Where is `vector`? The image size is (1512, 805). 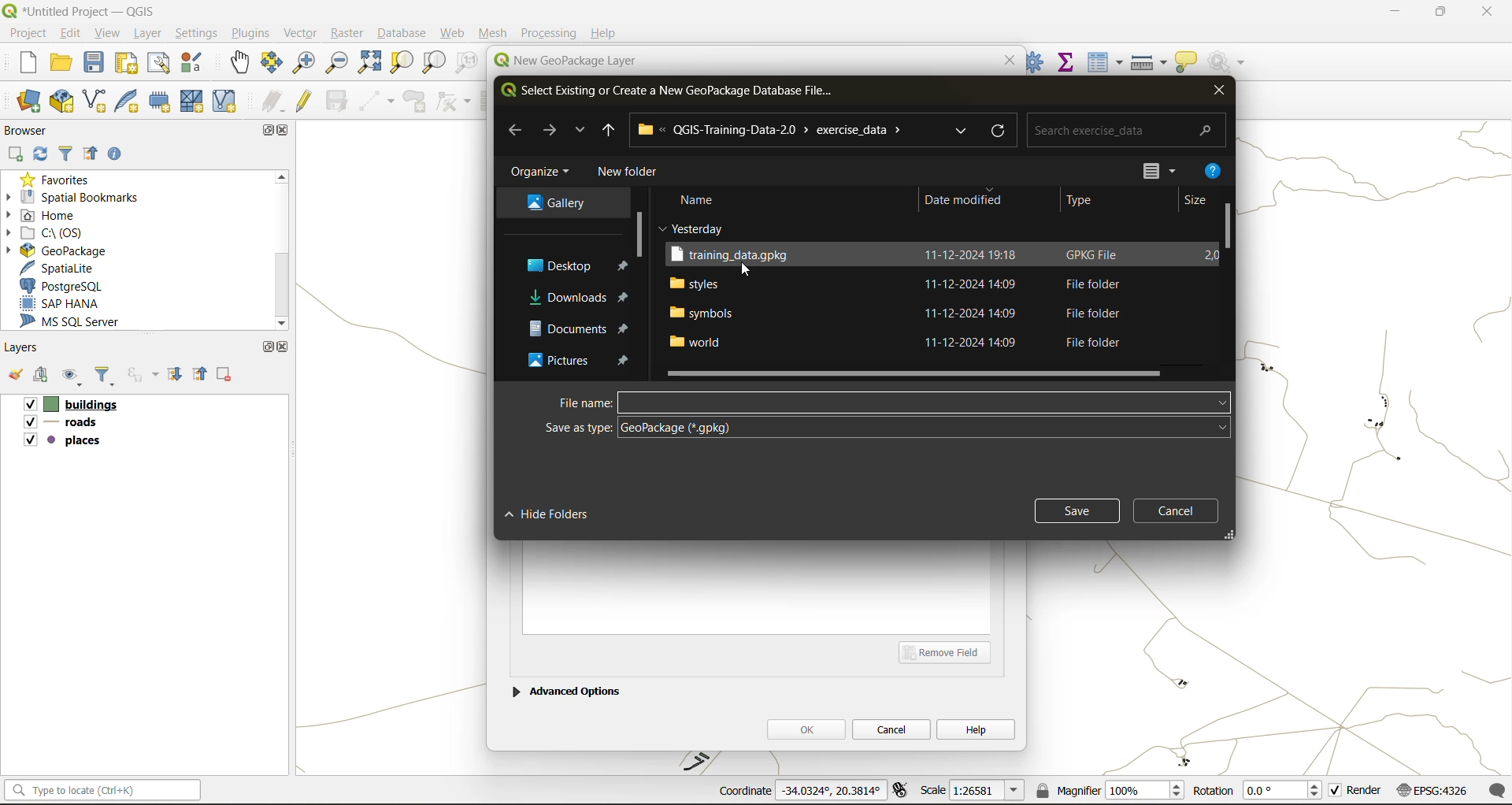
vector is located at coordinates (300, 33).